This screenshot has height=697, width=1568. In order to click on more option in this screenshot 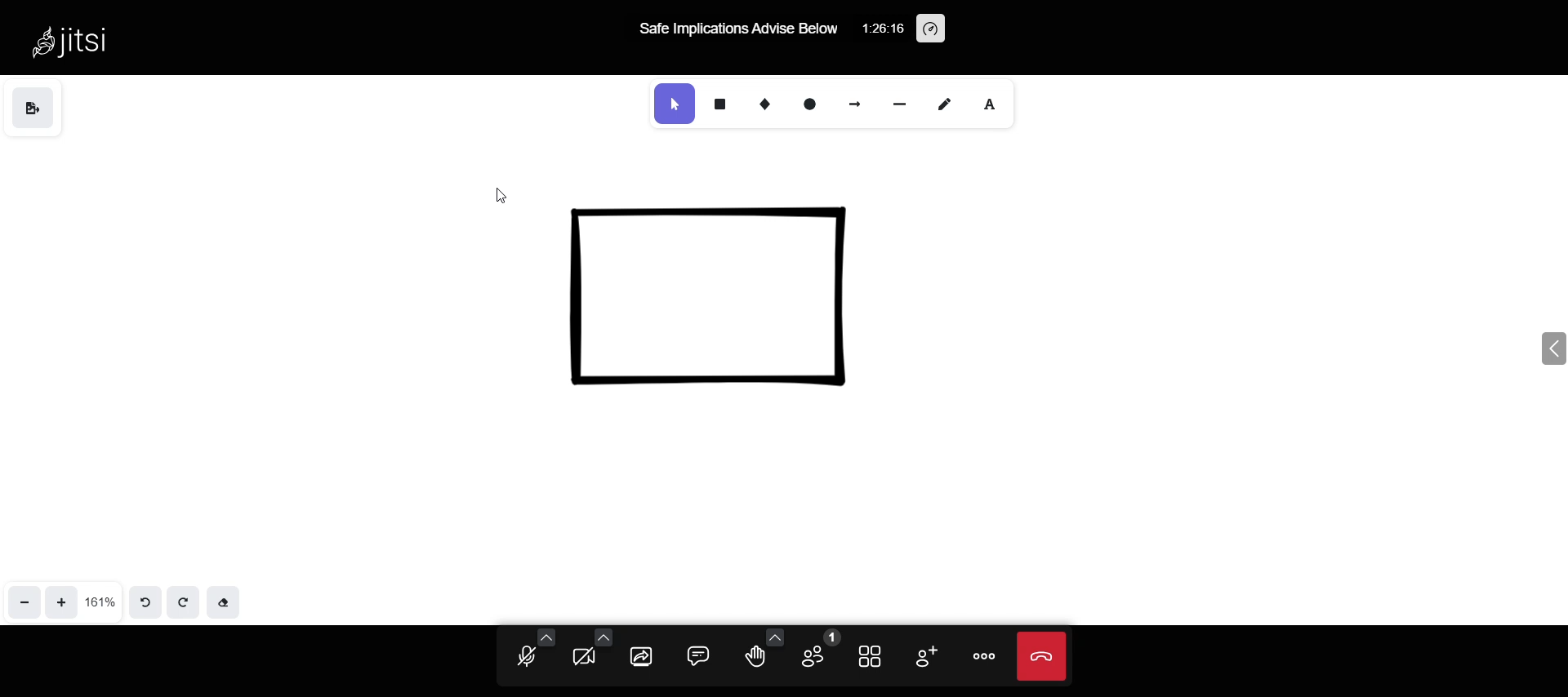, I will do `click(983, 653)`.